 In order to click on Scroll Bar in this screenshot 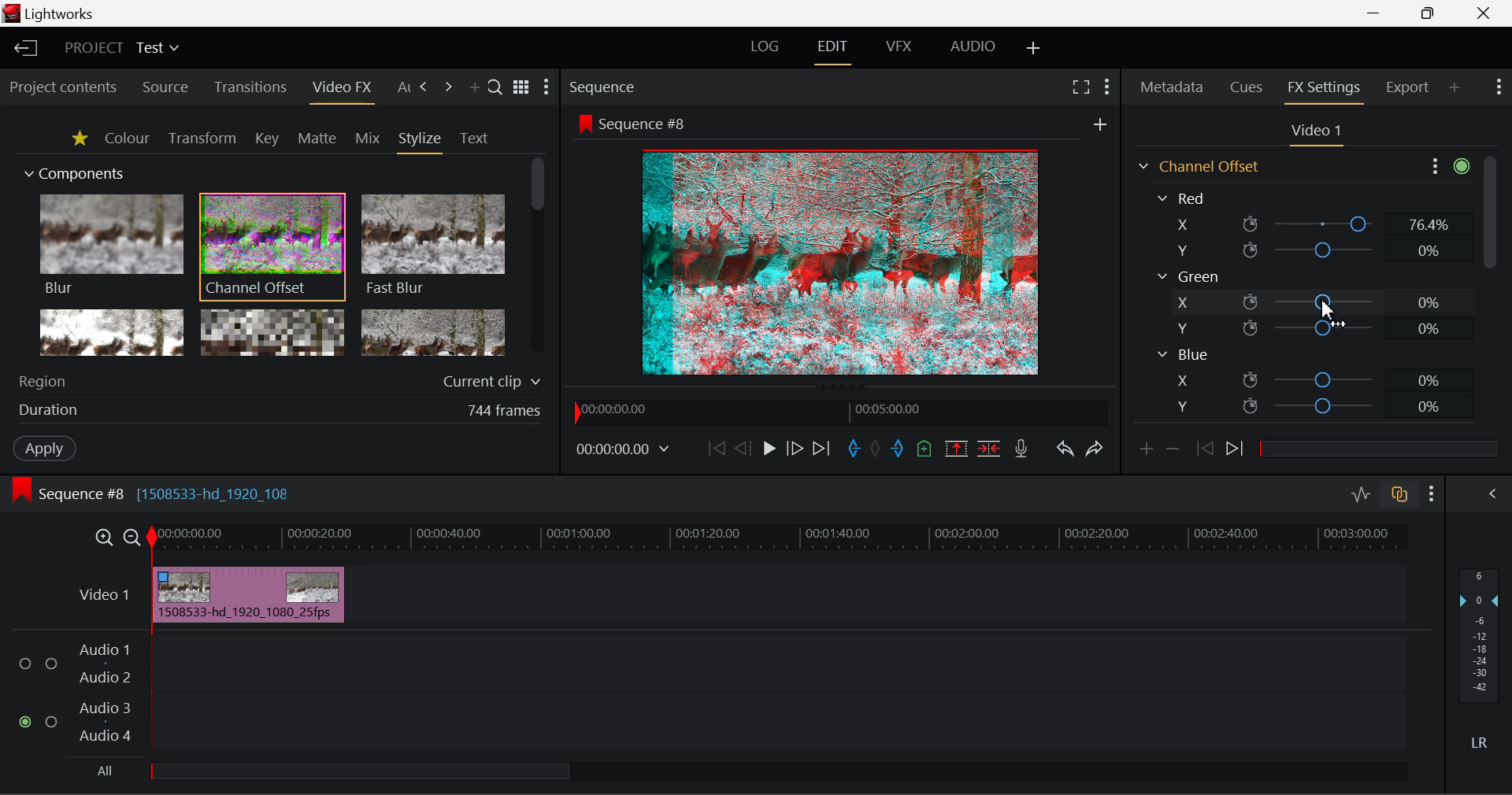, I will do `click(1489, 294)`.